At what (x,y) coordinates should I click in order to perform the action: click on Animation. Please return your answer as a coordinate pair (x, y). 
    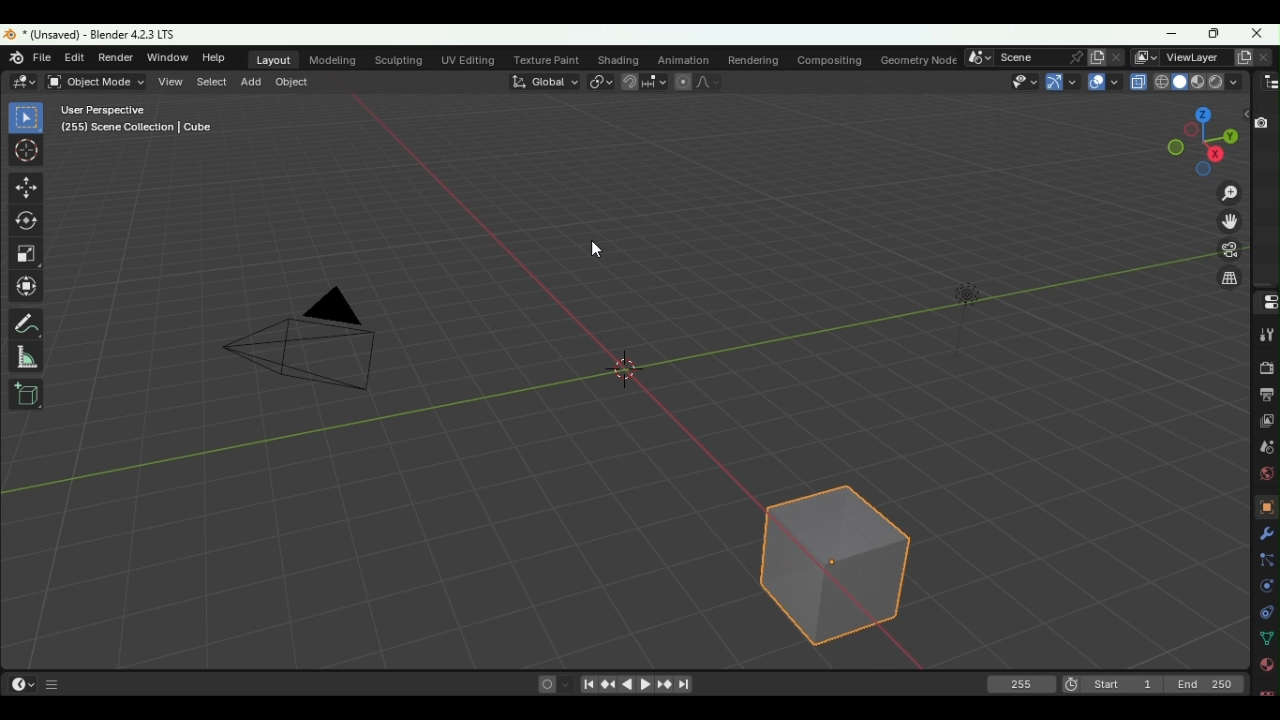
    Looking at the image, I should click on (682, 59).